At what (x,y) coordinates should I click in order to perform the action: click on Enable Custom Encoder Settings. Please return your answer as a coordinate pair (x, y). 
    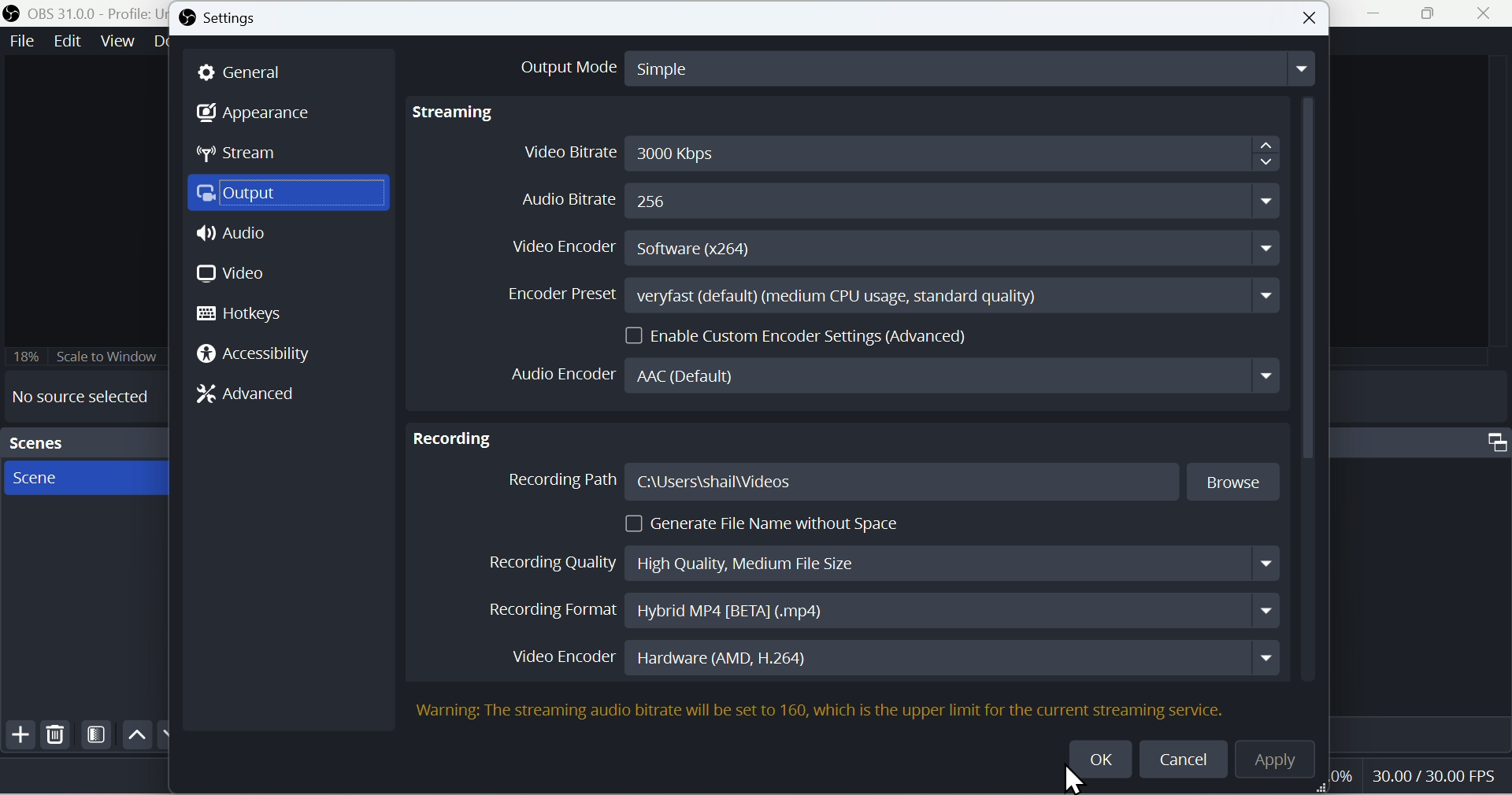
    Looking at the image, I should click on (802, 334).